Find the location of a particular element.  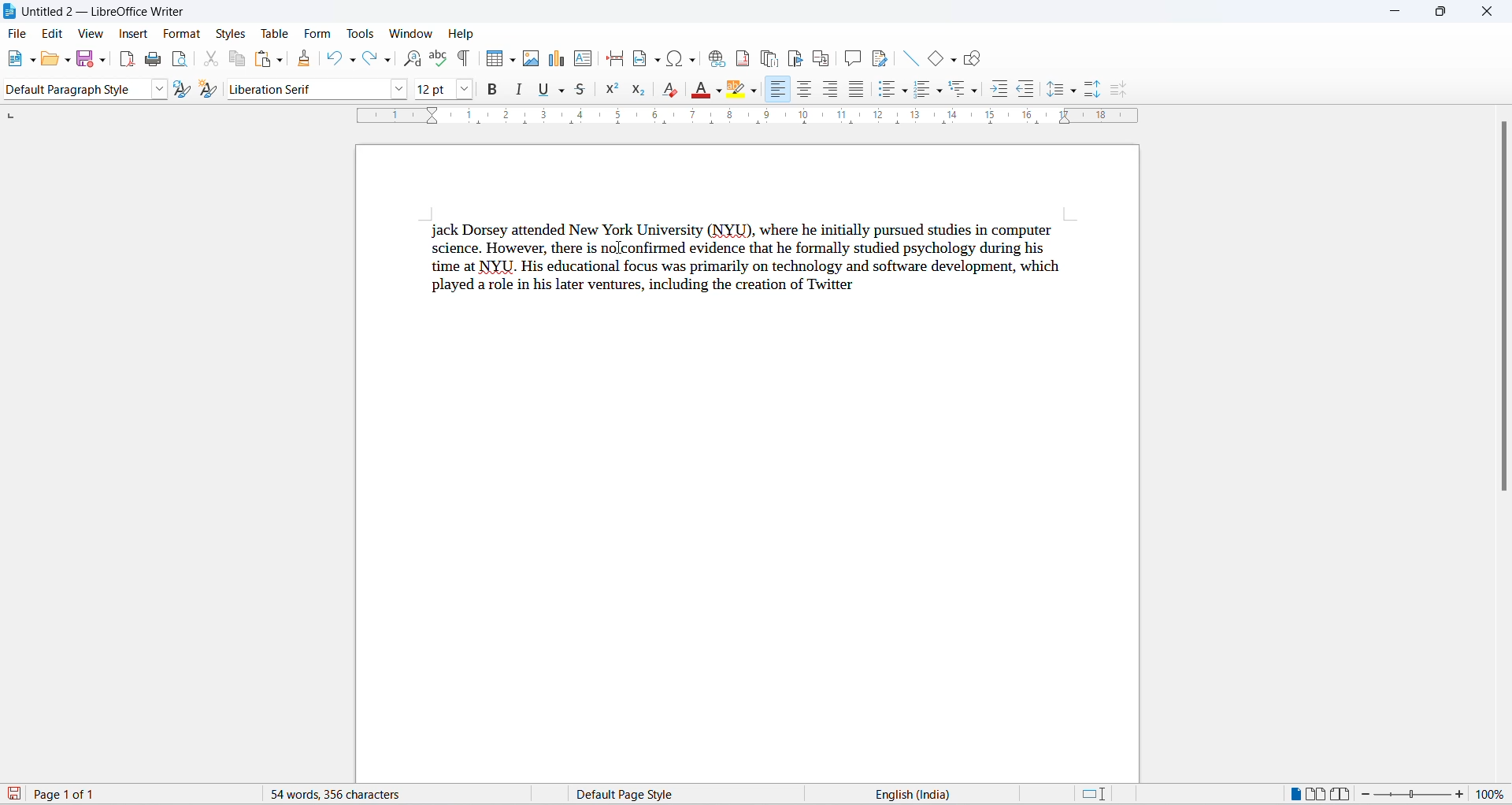

English(India) is located at coordinates (958, 793).